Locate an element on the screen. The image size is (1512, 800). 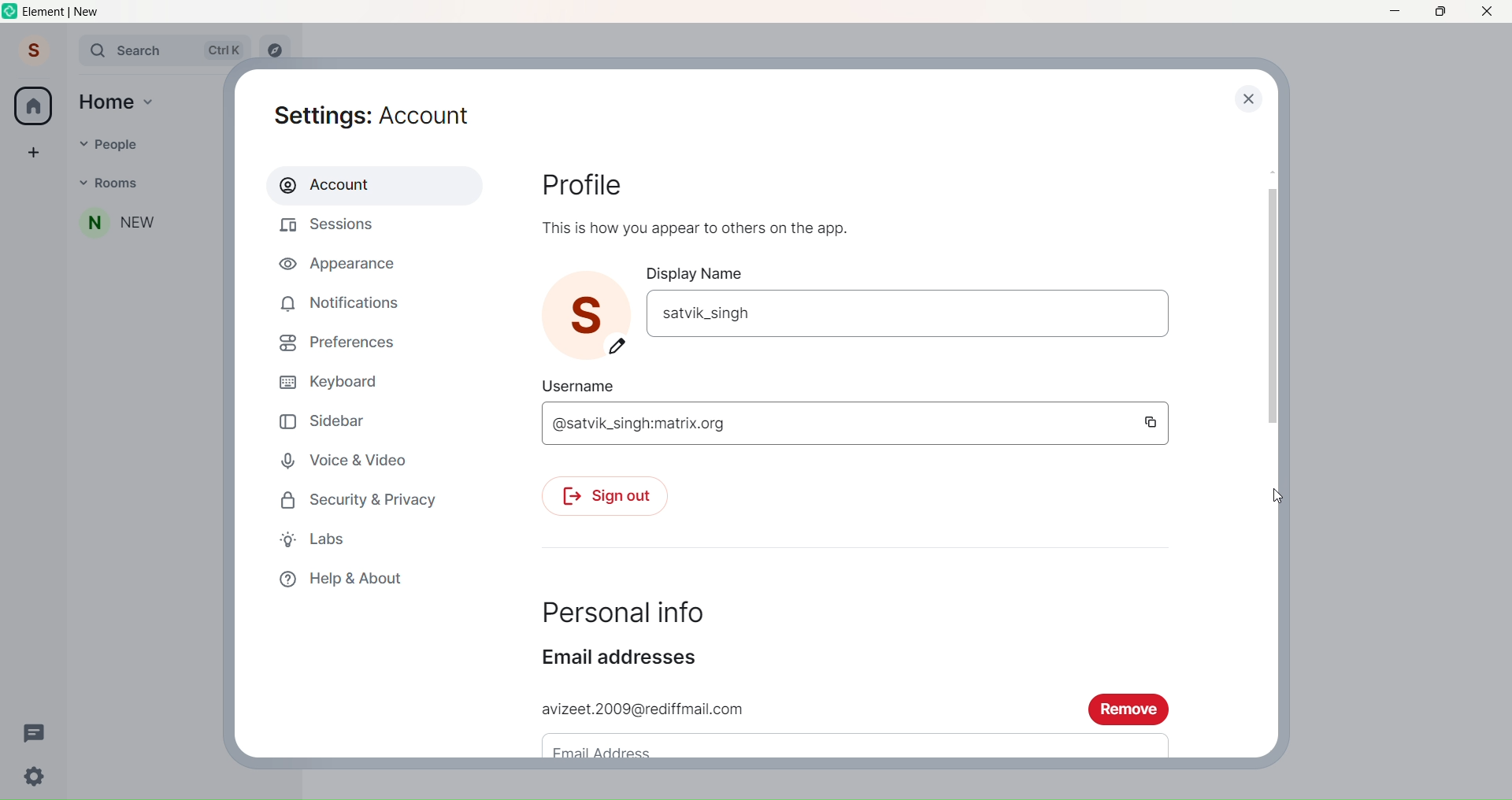
People added to Room is located at coordinates (146, 223).